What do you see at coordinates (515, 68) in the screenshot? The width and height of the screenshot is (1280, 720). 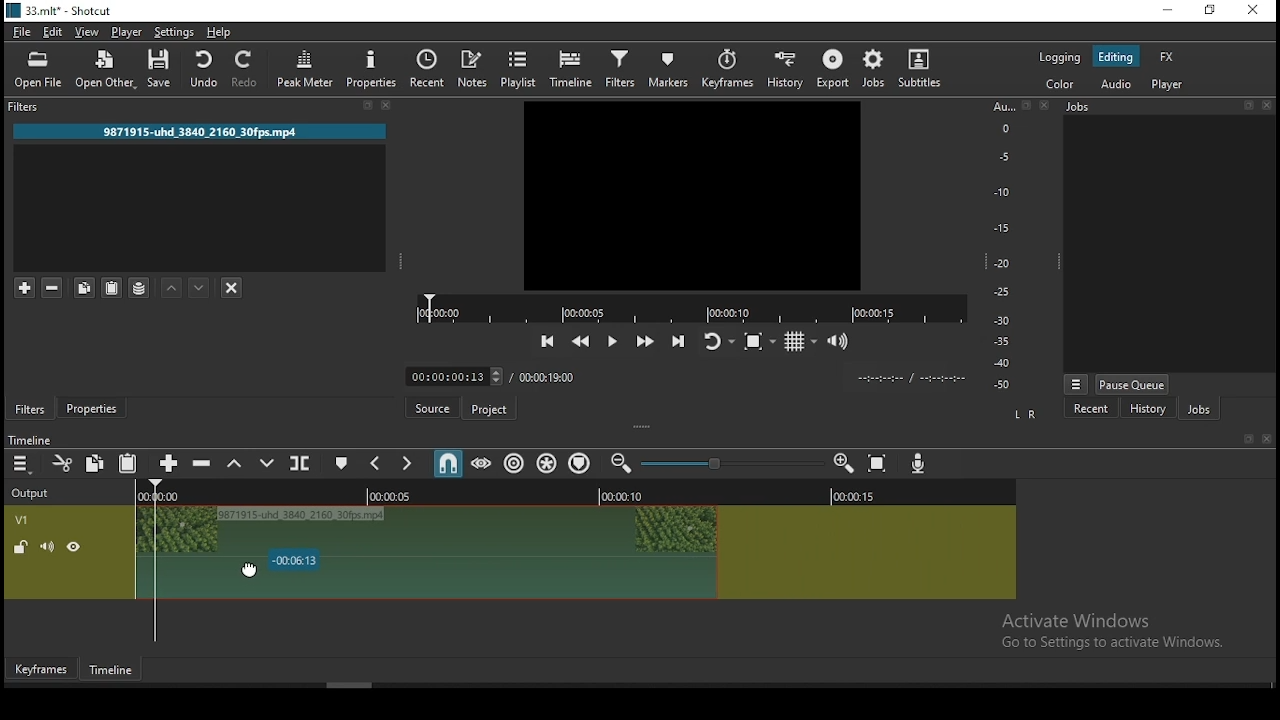 I see `playlist` at bounding box center [515, 68].